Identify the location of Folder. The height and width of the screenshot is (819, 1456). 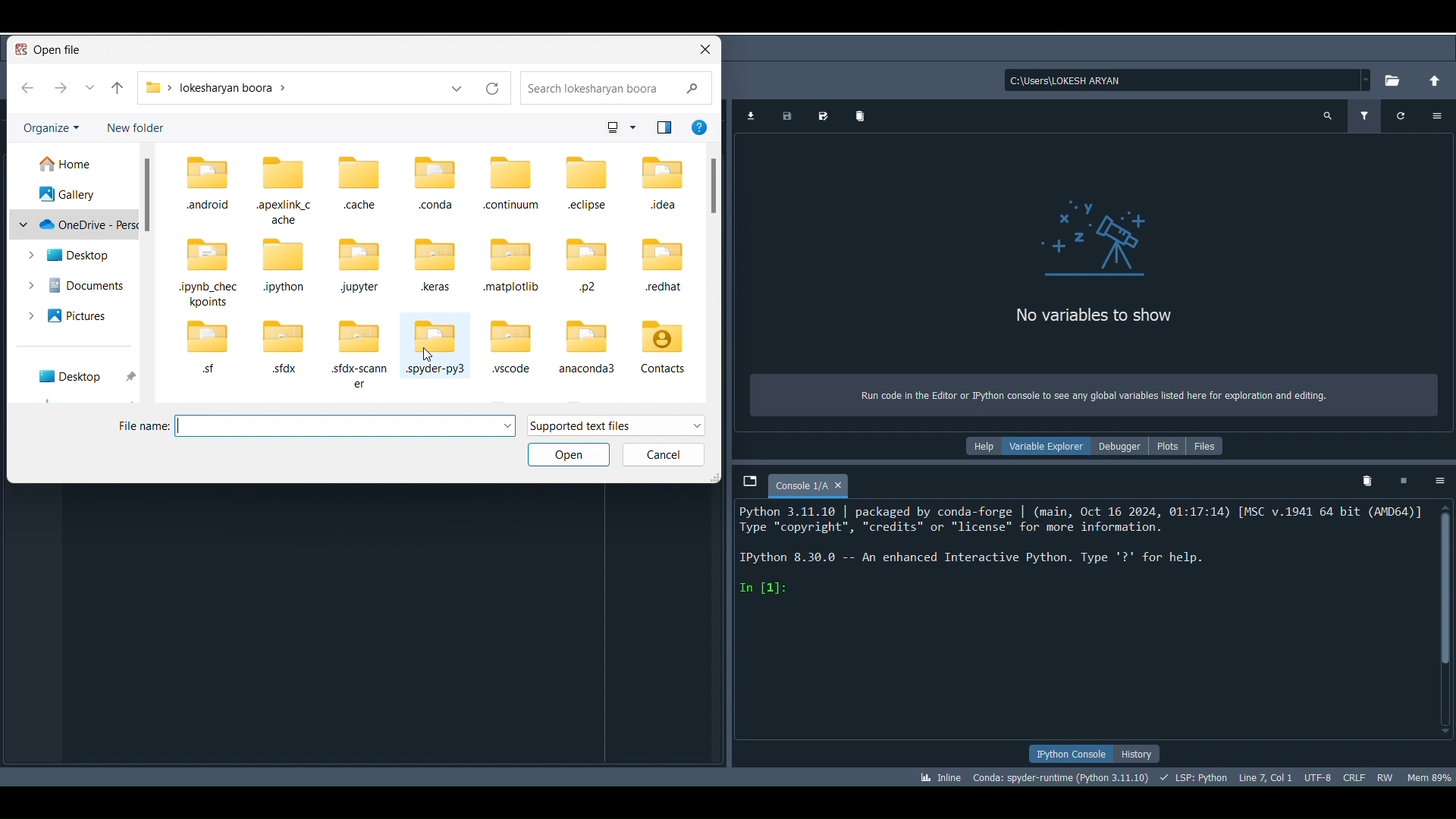
(211, 183).